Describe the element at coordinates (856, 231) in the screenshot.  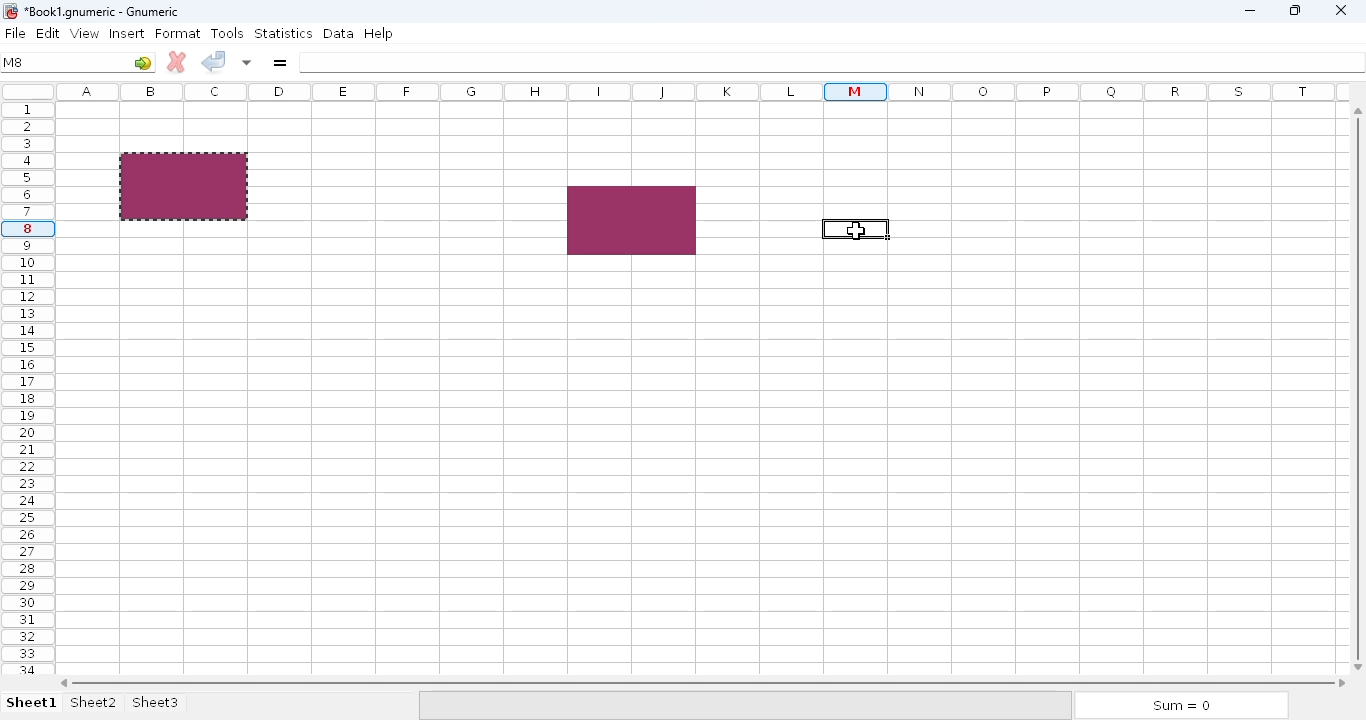
I see `cursor` at that location.